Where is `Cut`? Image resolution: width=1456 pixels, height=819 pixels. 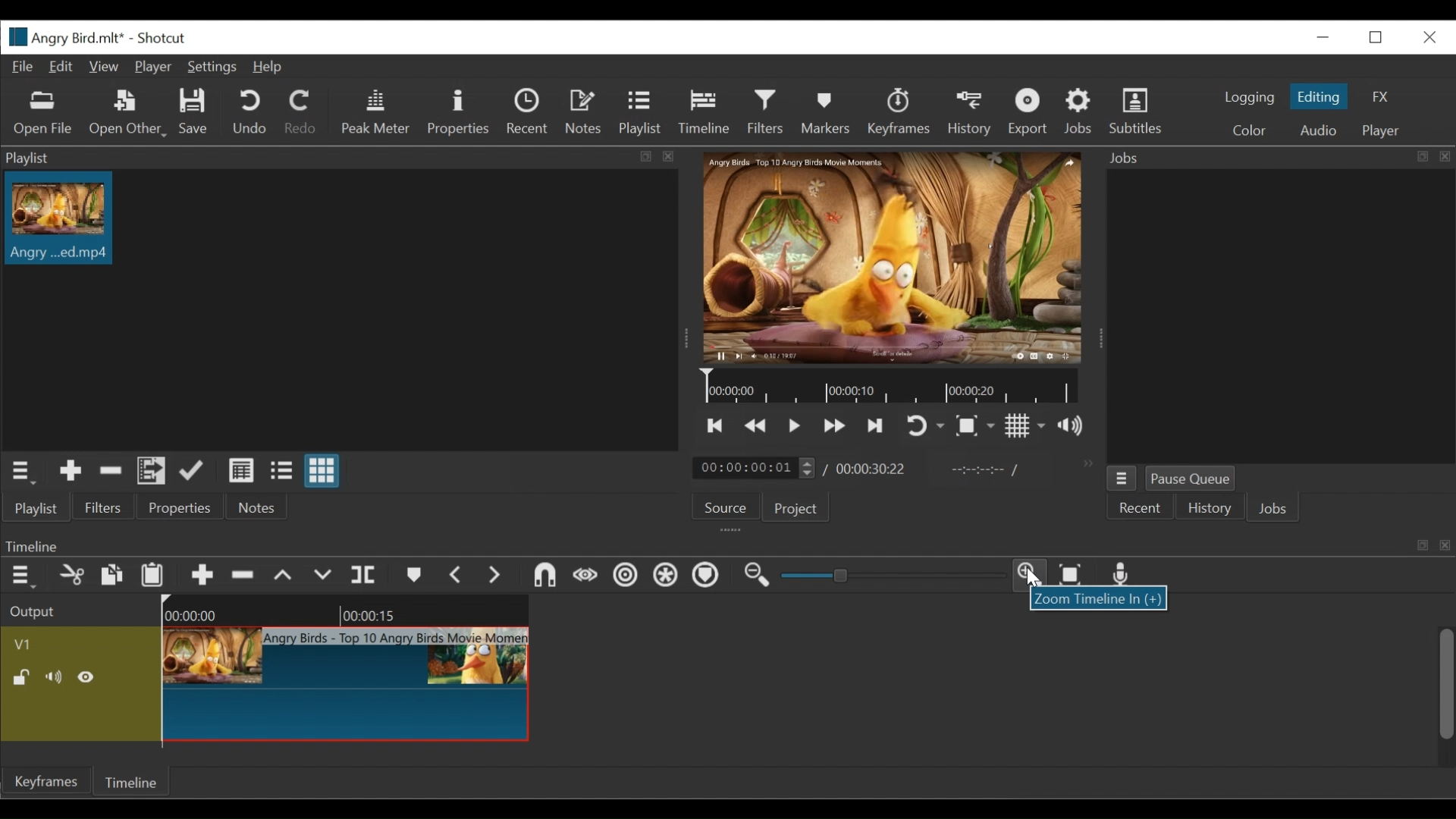 Cut is located at coordinates (71, 574).